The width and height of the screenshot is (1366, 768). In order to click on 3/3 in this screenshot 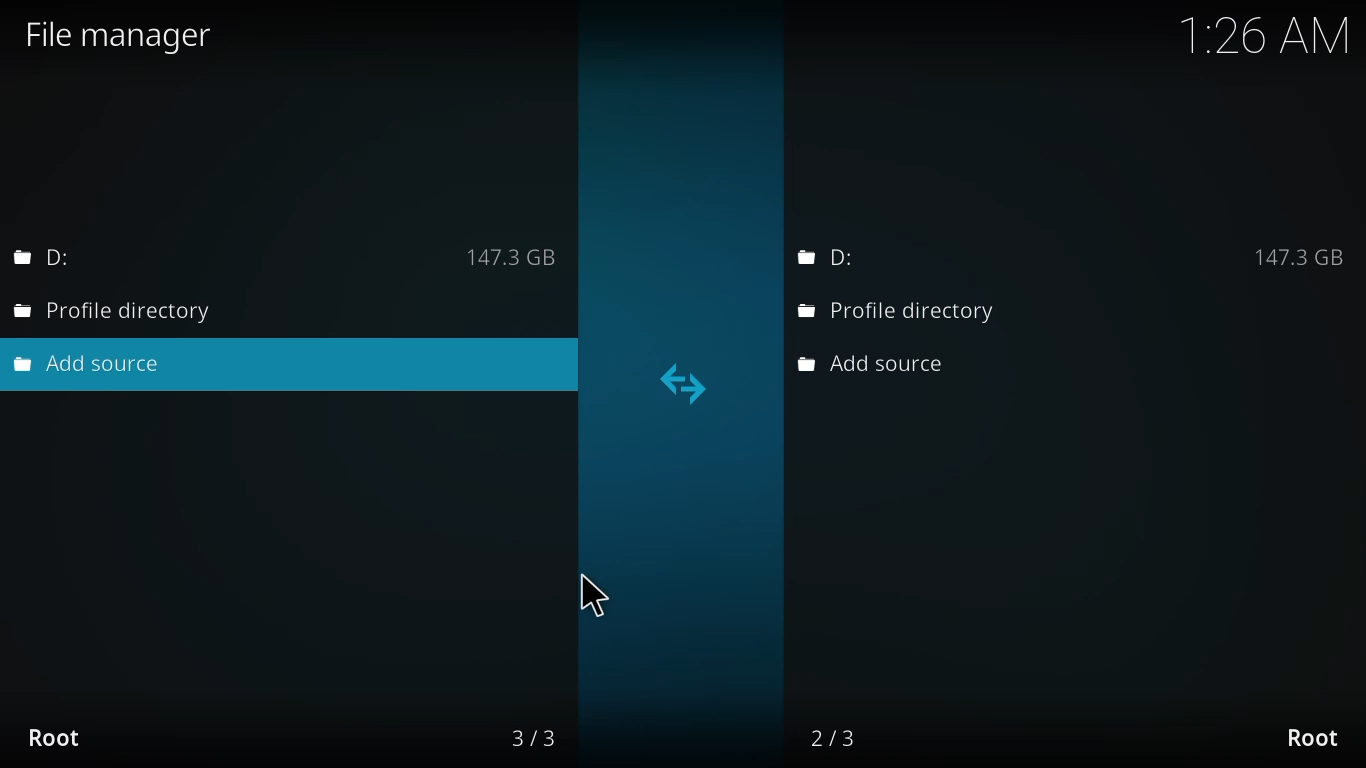, I will do `click(513, 738)`.